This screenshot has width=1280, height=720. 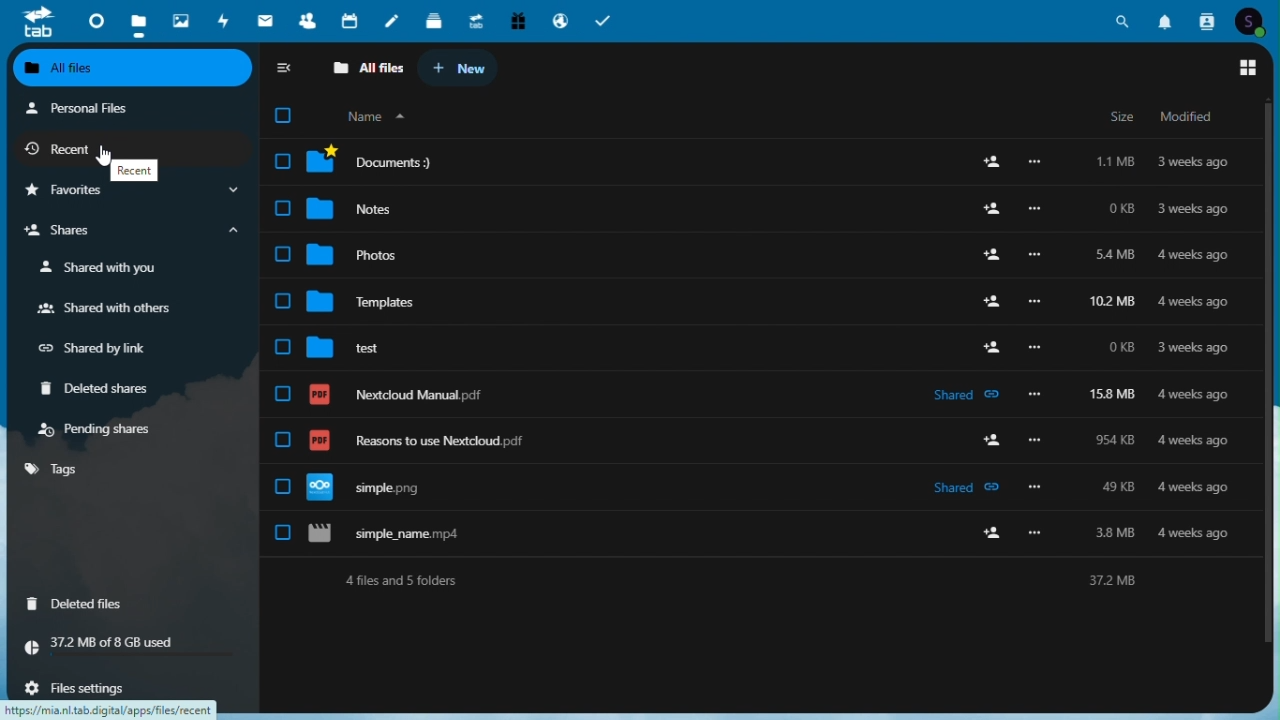 What do you see at coordinates (602, 21) in the screenshot?
I see `Tasks` at bounding box center [602, 21].